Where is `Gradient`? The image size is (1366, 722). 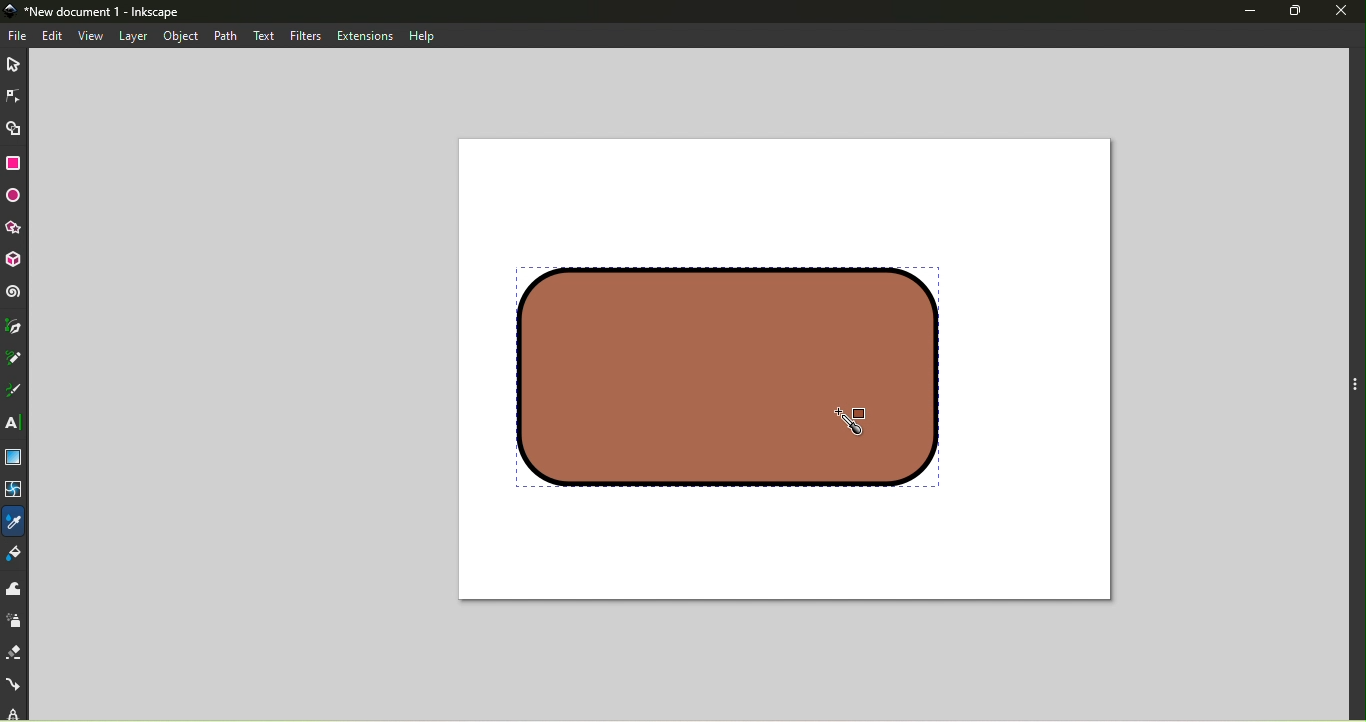
Gradient is located at coordinates (13, 458).